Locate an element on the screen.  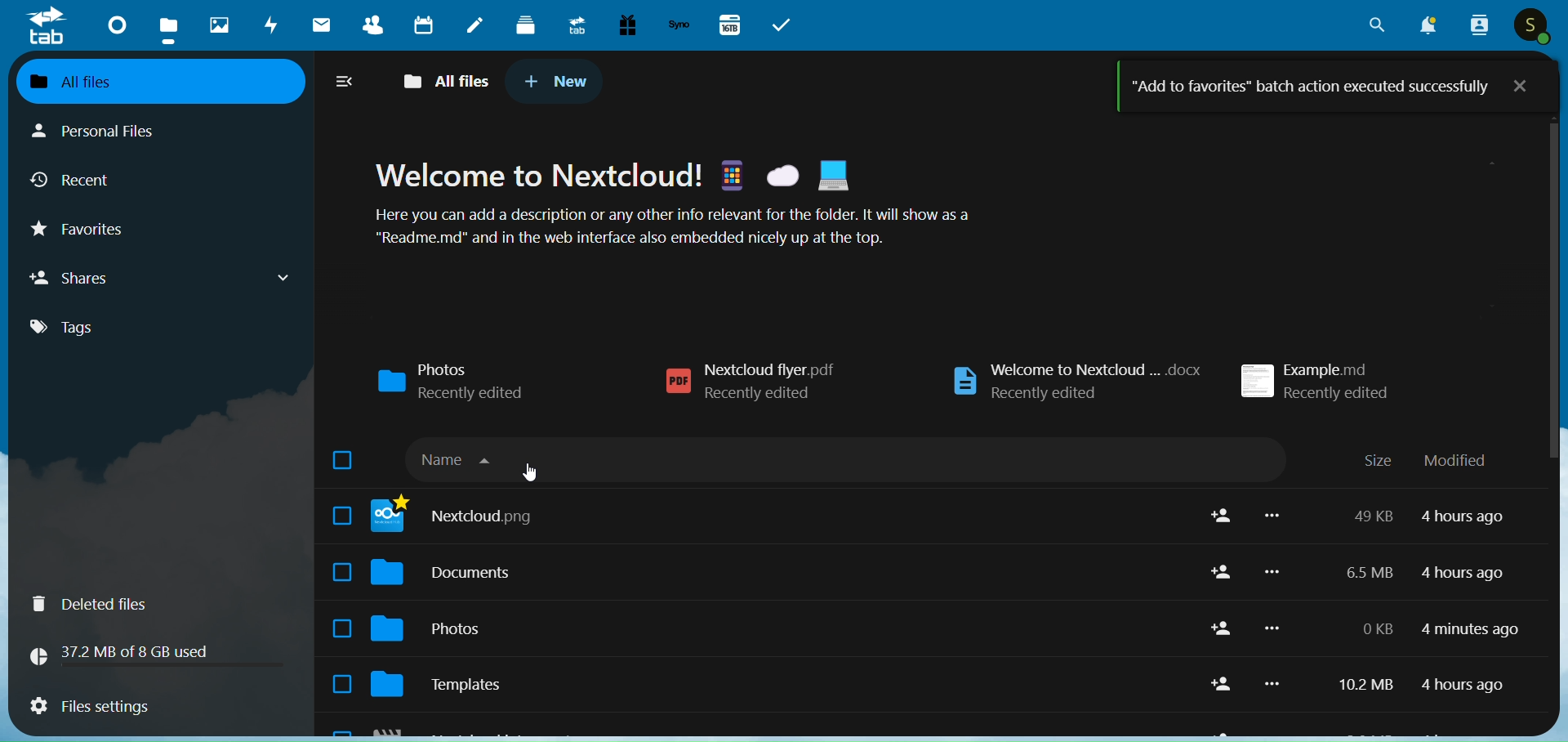
Select all is located at coordinates (341, 459).